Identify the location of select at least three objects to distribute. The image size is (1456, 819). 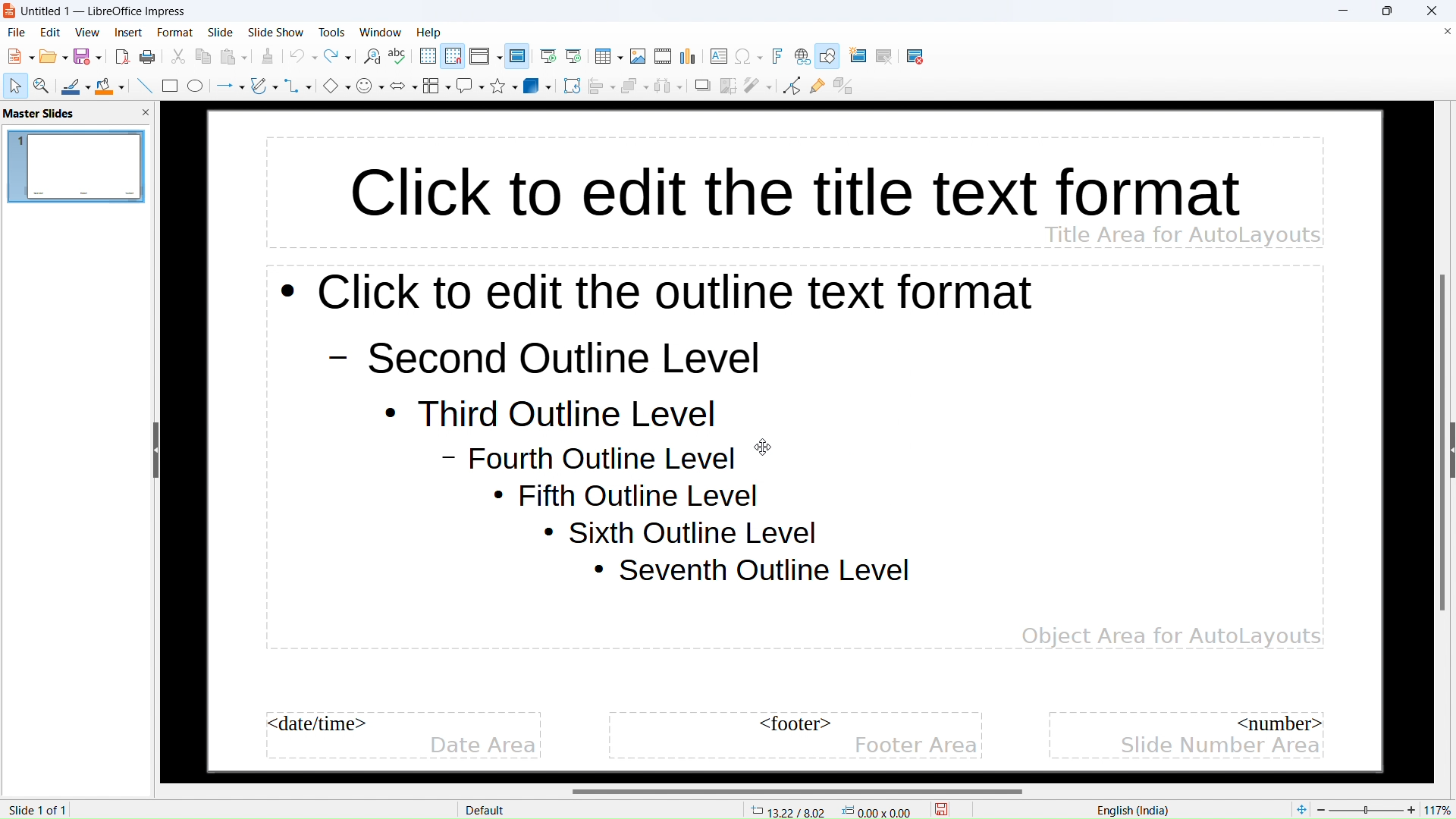
(669, 86).